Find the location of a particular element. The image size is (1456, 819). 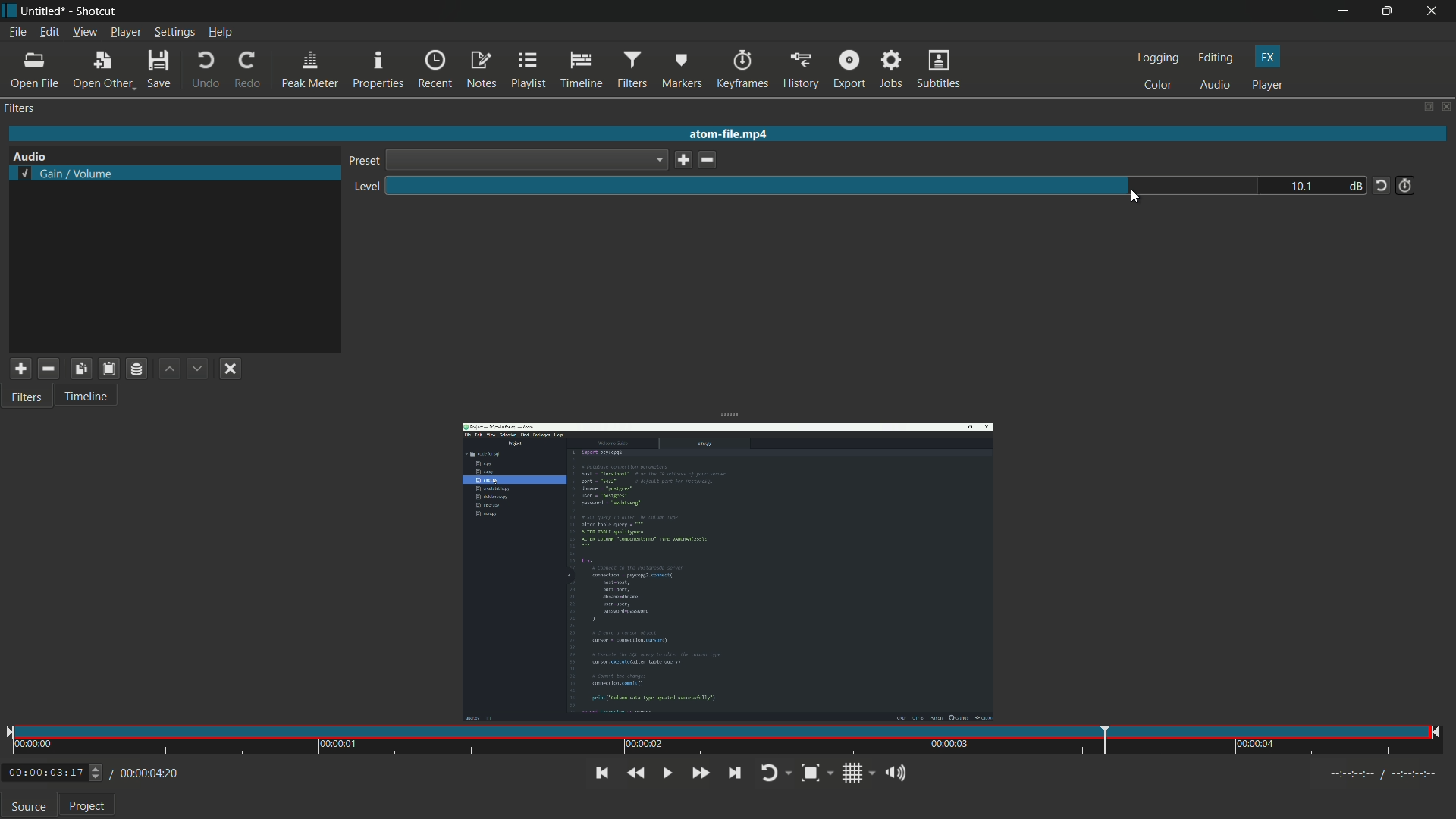

app name is located at coordinates (94, 11).